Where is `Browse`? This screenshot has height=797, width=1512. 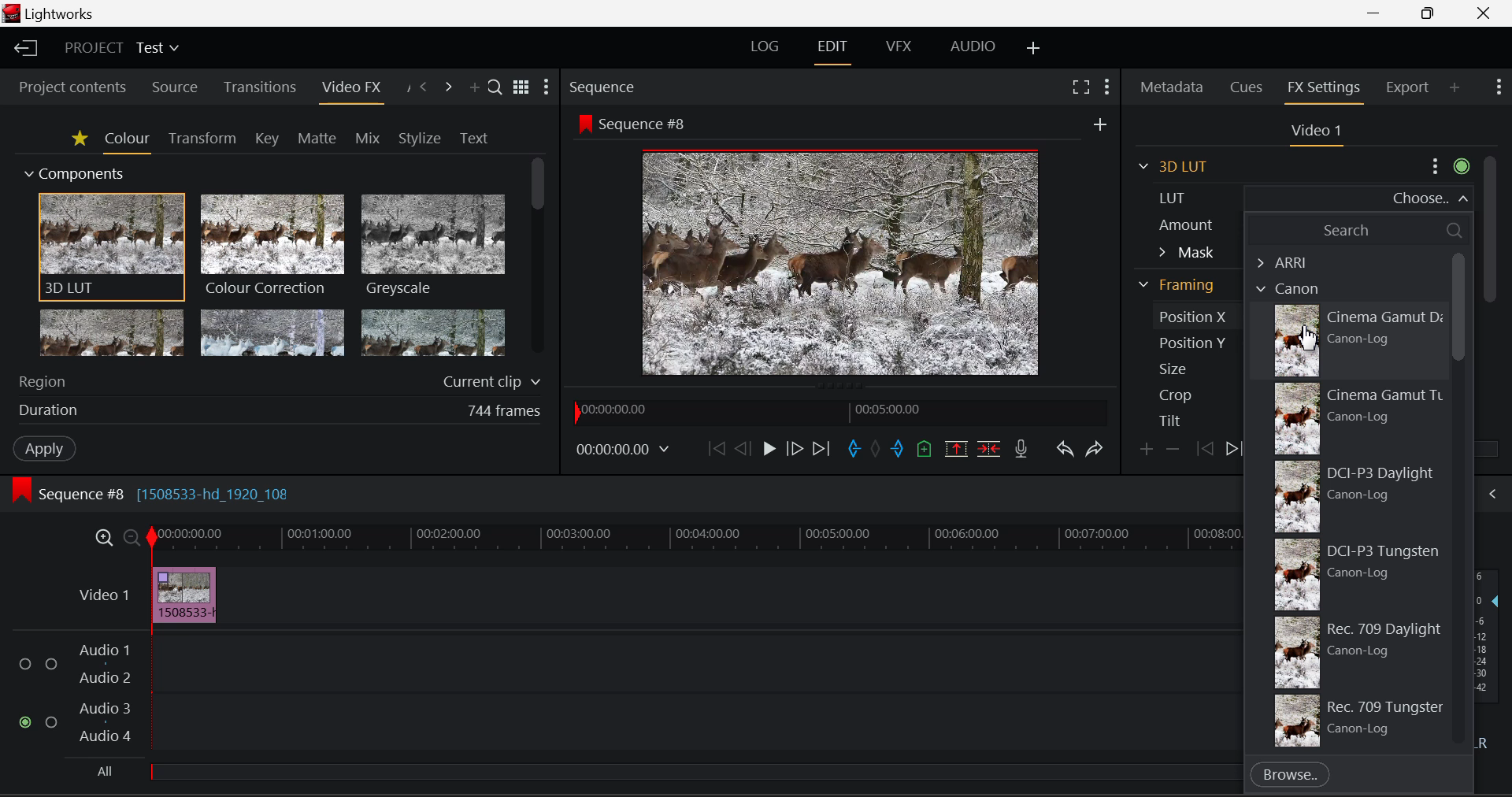
Browse is located at coordinates (1286, 777).